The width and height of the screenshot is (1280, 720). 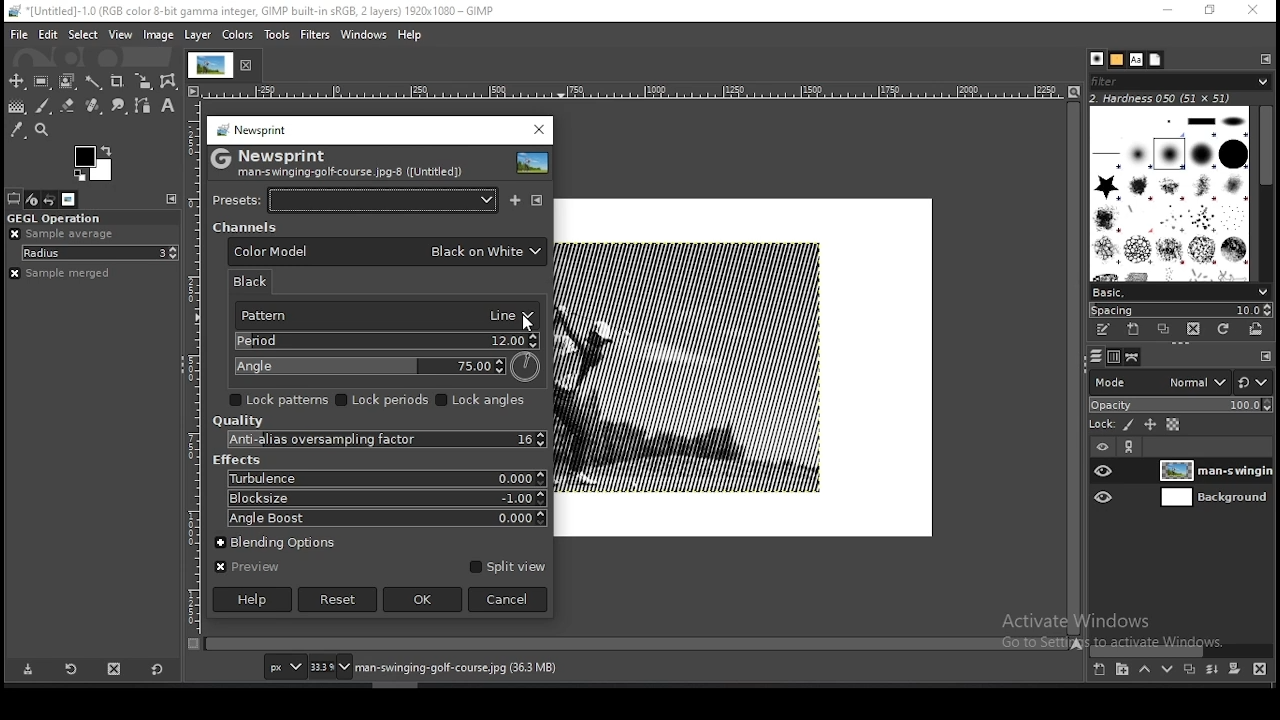 I want to click on text tool, so click(x=169, y=106).